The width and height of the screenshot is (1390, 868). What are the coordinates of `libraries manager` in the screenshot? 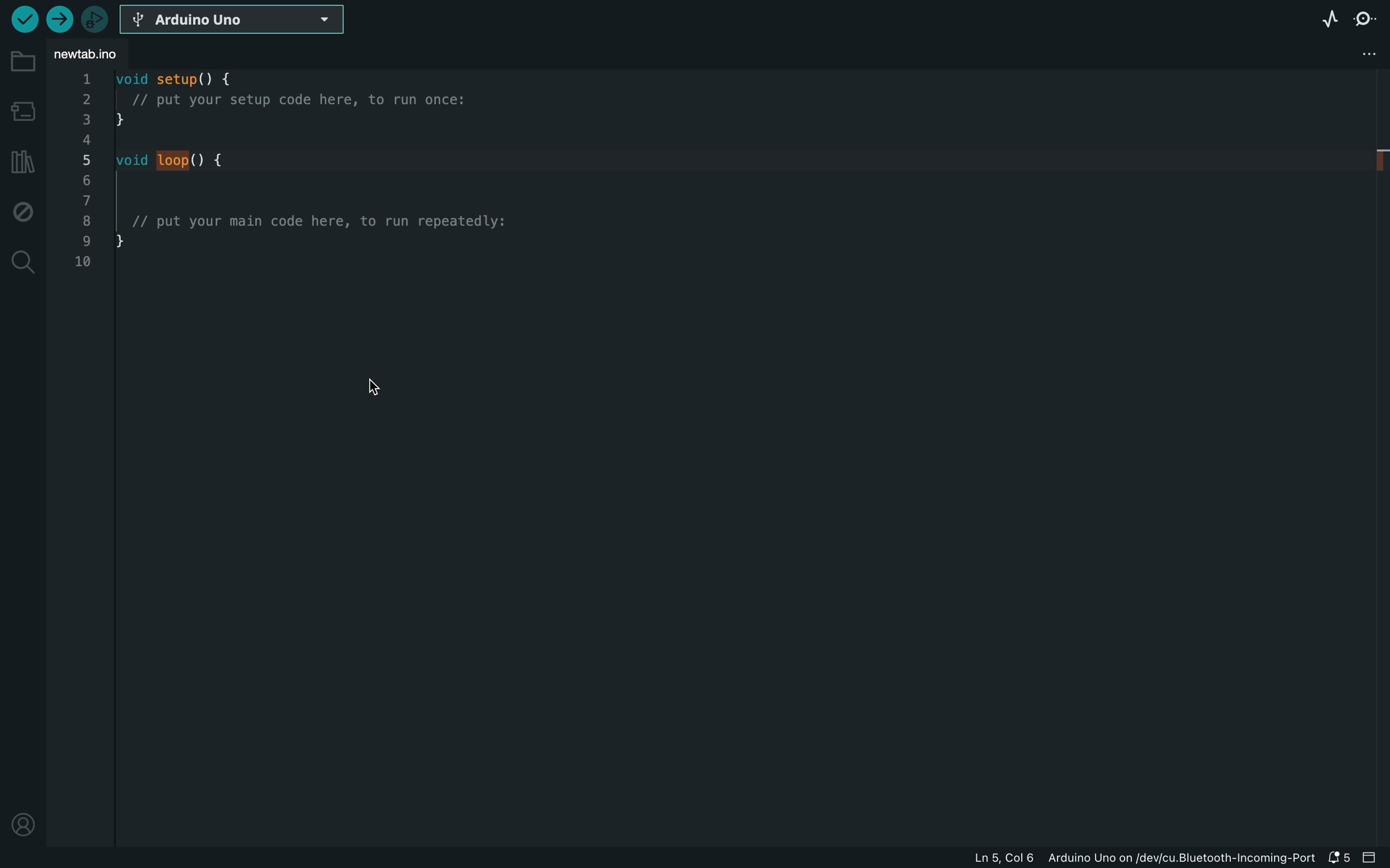 It's located at (20, 161).